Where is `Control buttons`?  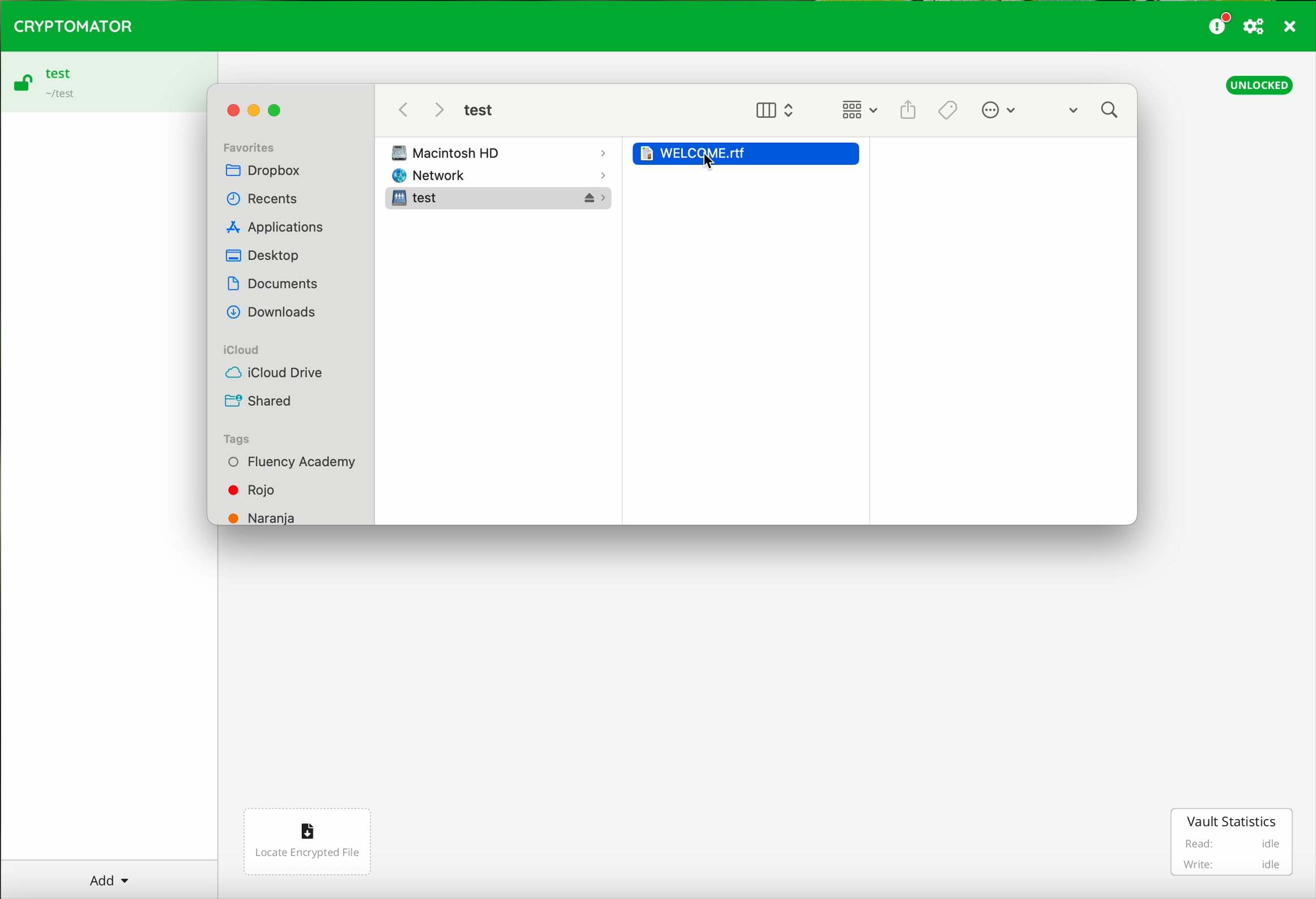
Control buttons is located at coordinates (259, 105).